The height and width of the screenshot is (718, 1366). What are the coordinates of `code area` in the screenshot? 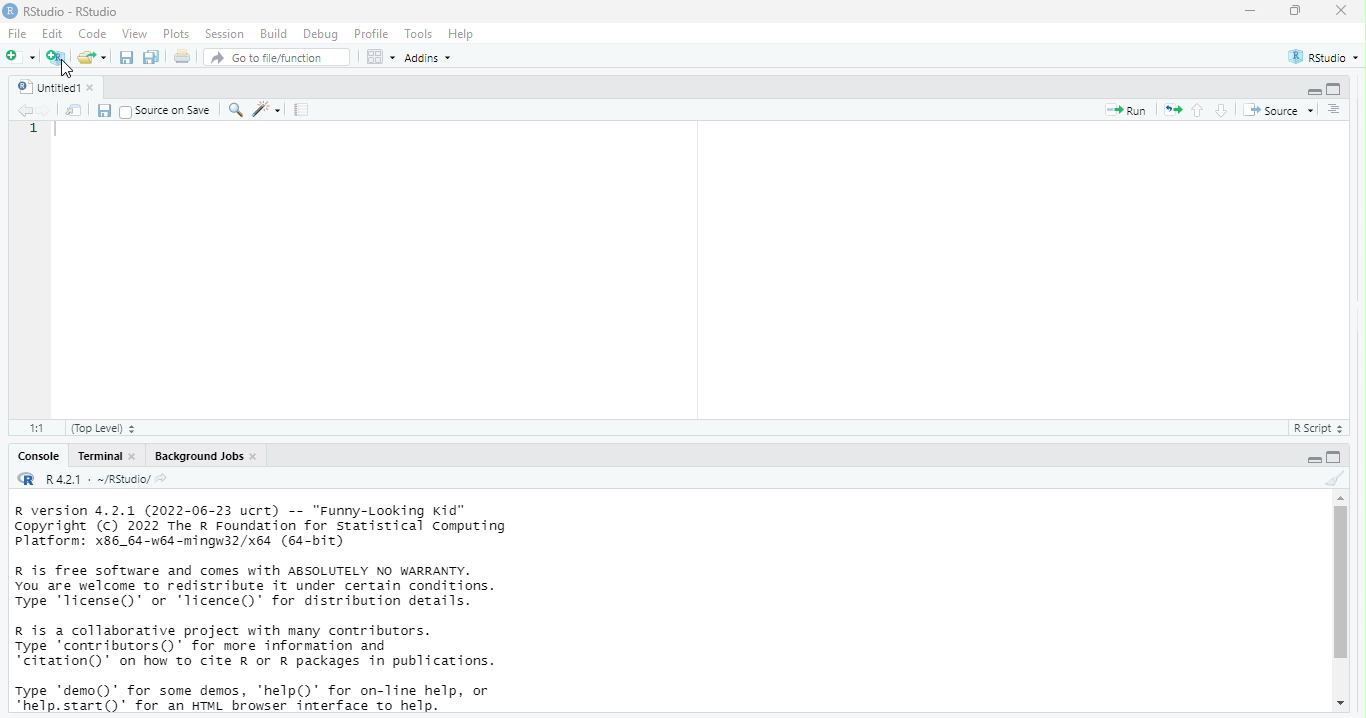 It's located at (370, 276).